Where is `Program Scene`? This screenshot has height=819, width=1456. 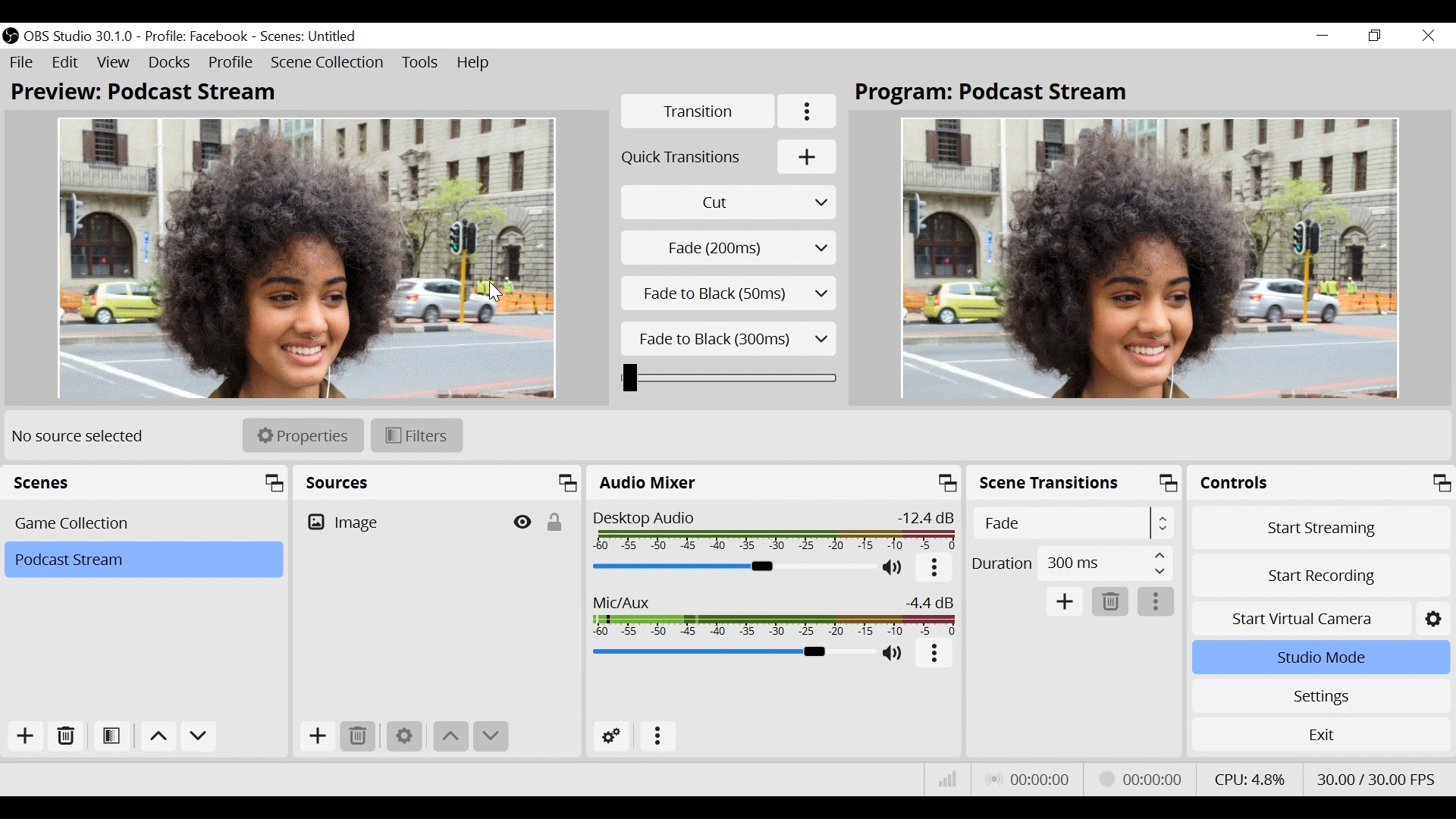 Program Scene is located at coordinates (1150, 256).